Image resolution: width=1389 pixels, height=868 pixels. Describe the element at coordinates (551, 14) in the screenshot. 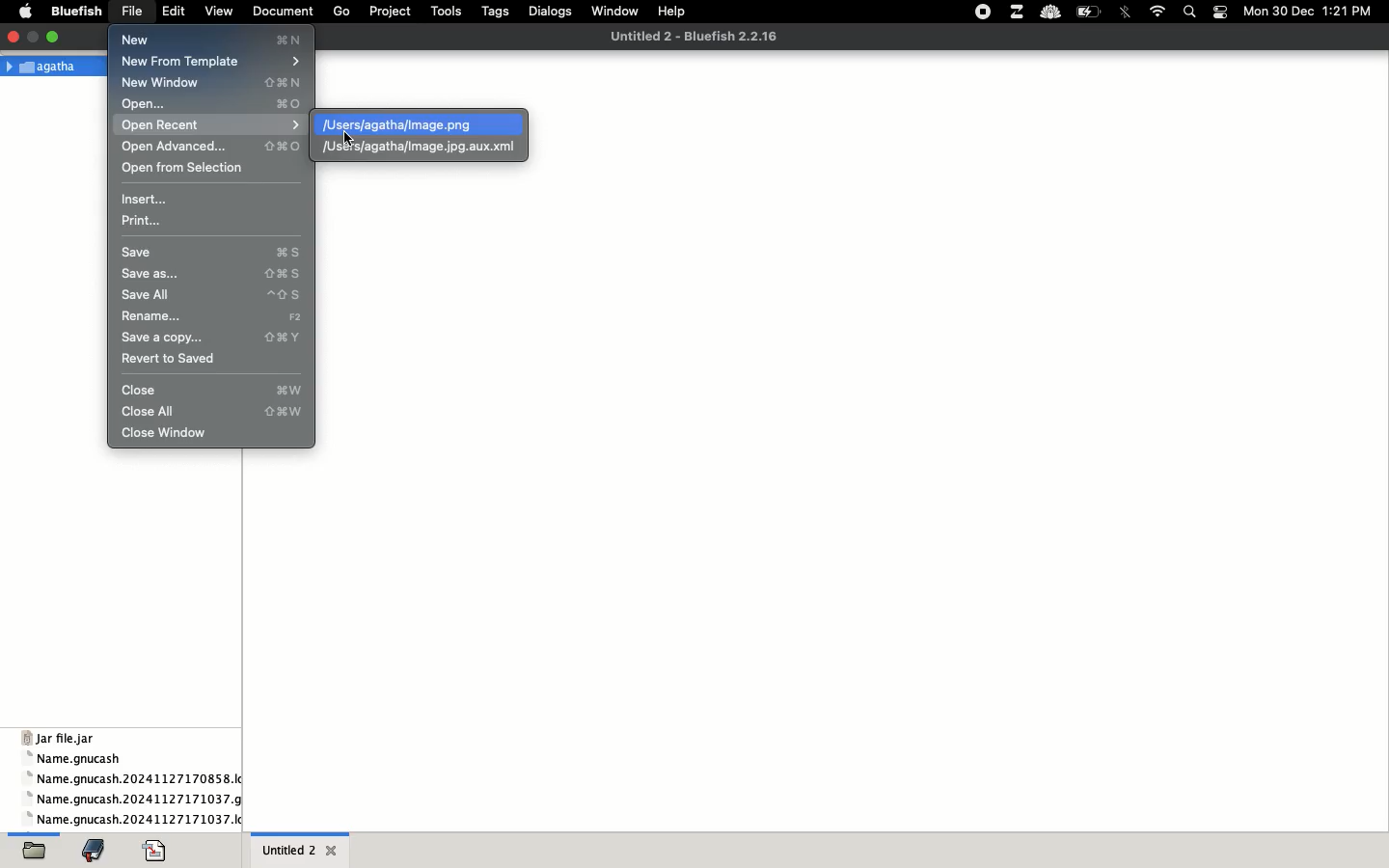

I see `dialogs` at that location.